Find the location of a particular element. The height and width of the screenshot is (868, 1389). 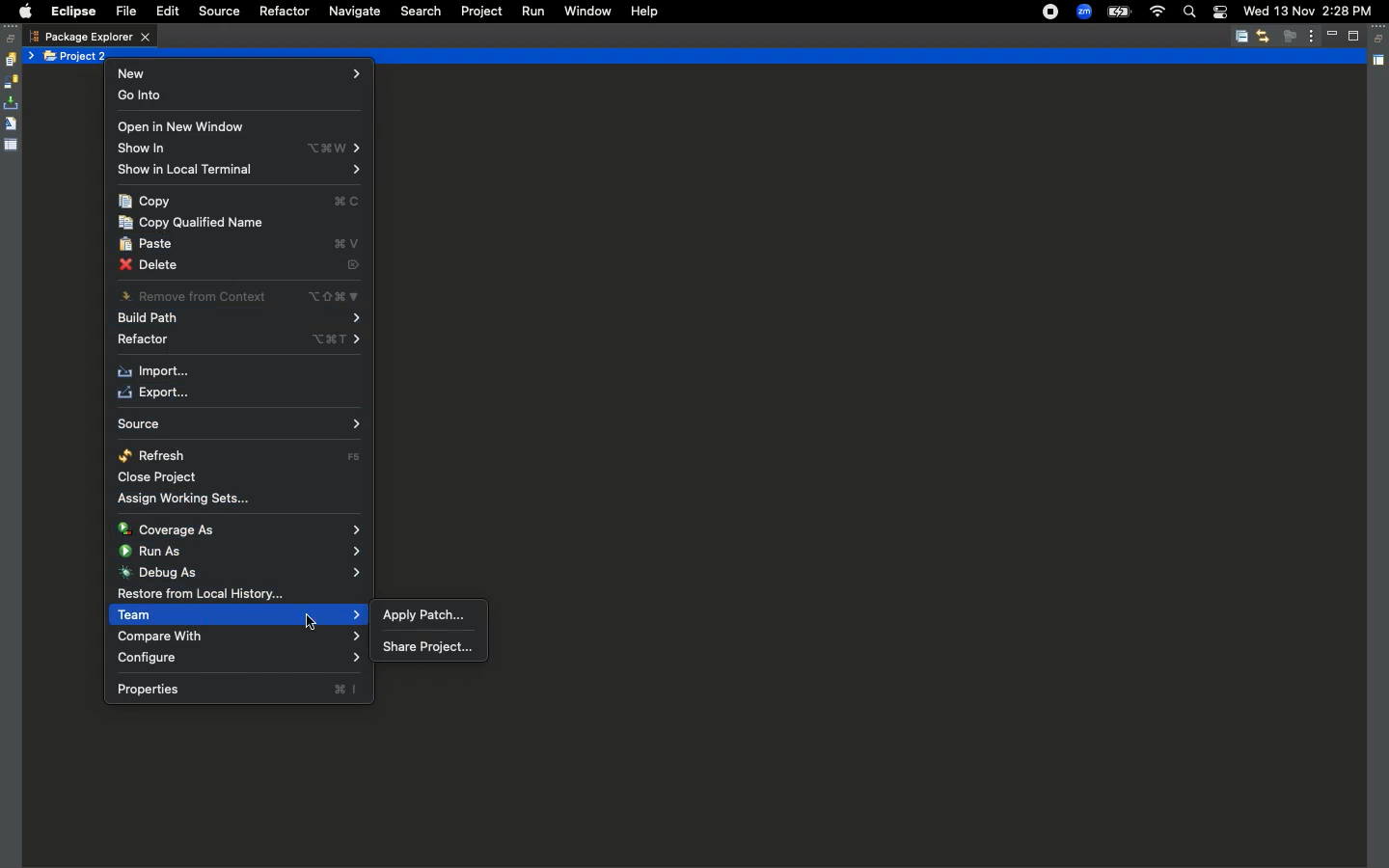

Show in is located at coordinates (242, 149).